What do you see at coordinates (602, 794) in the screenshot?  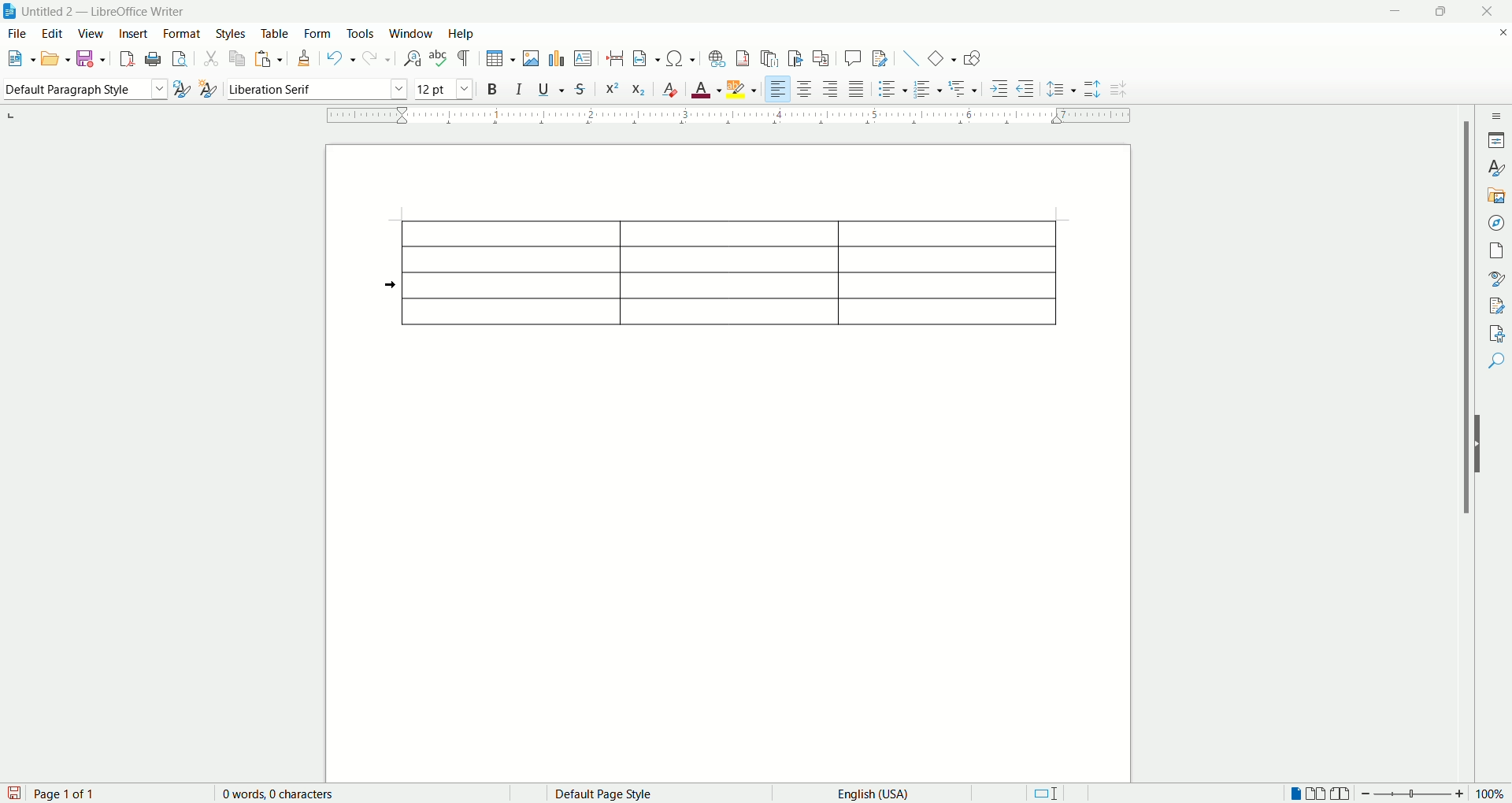 I see `default page style` at bounding box center [602, 794].